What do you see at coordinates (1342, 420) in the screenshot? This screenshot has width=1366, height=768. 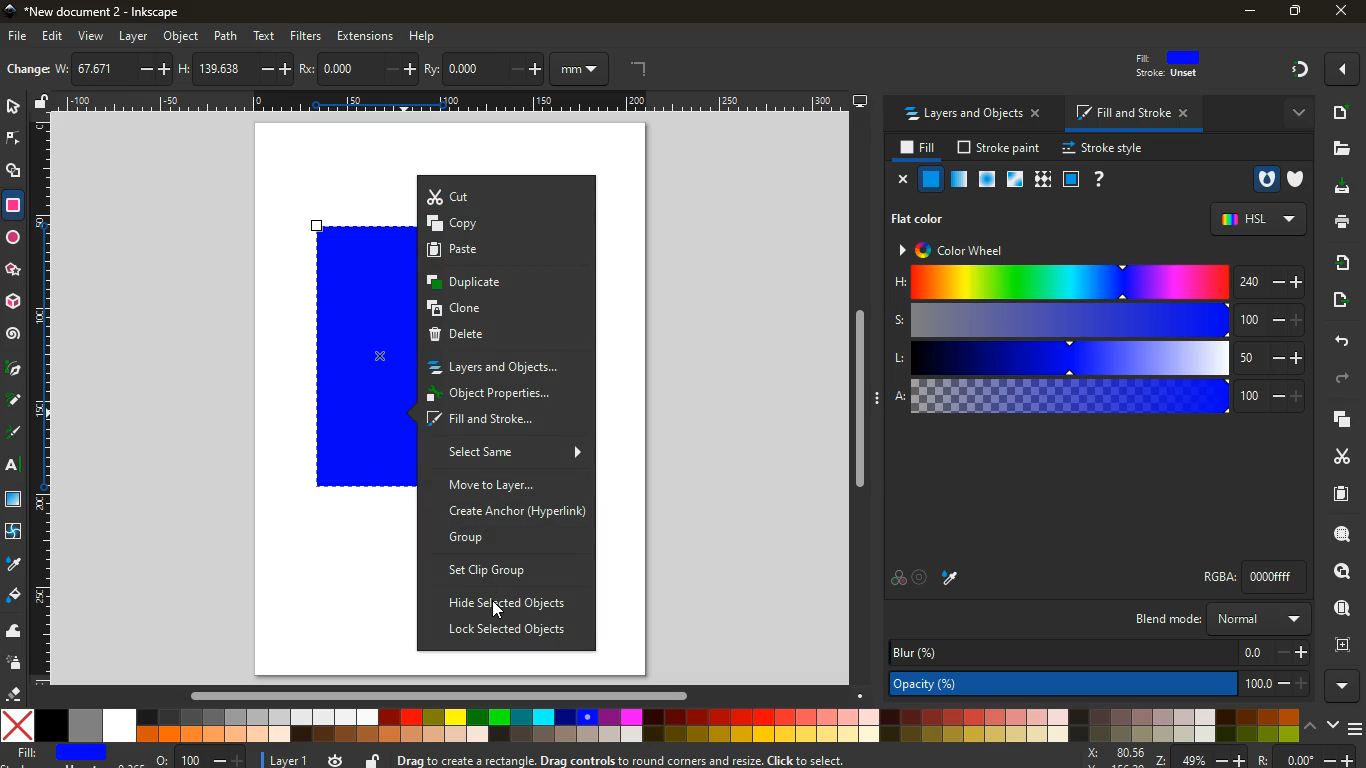 I see `layers` at bounding box center [1342, 420].